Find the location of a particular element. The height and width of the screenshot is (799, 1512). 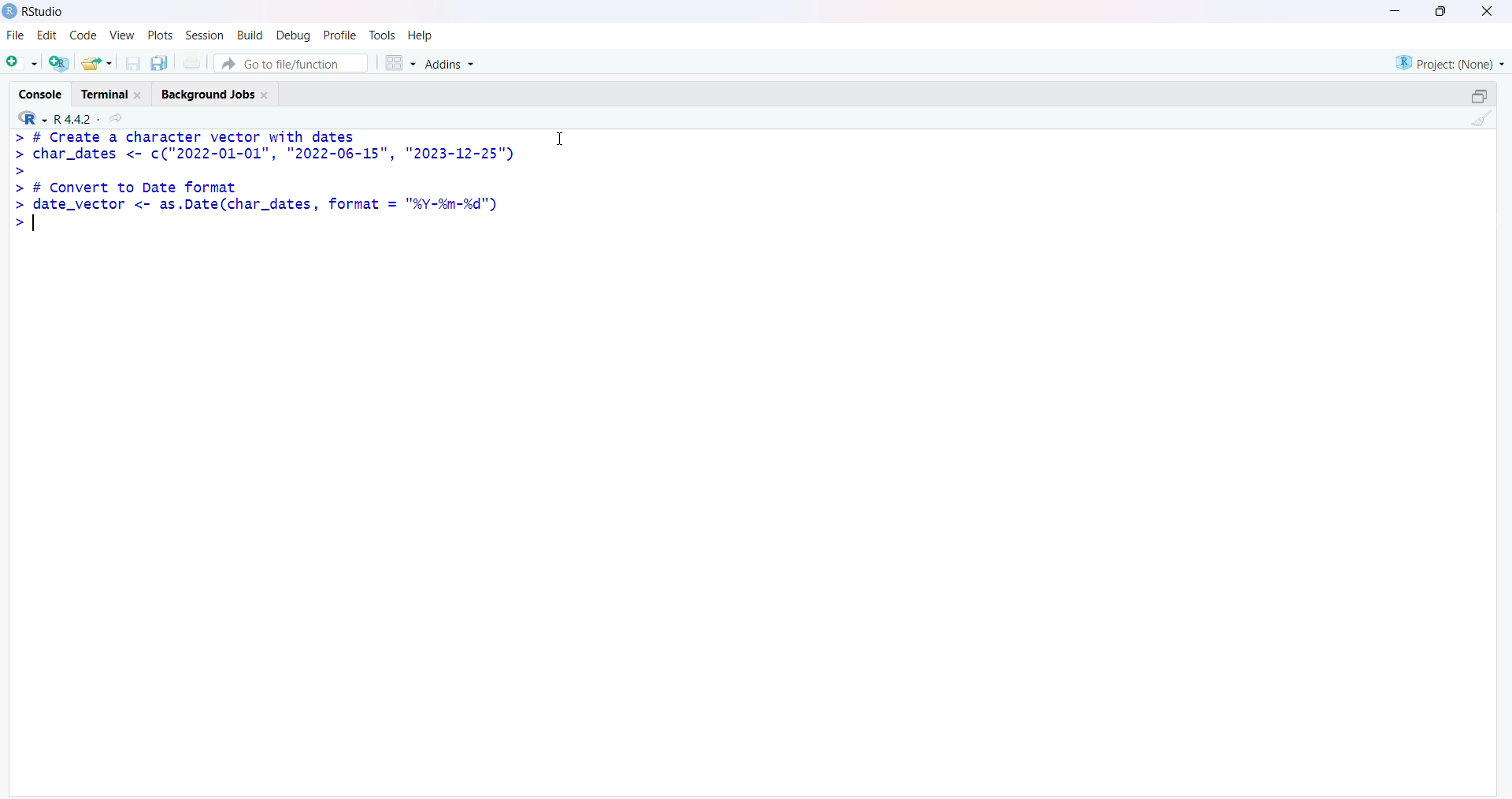

Cursor is located at coordinates (560, 138).